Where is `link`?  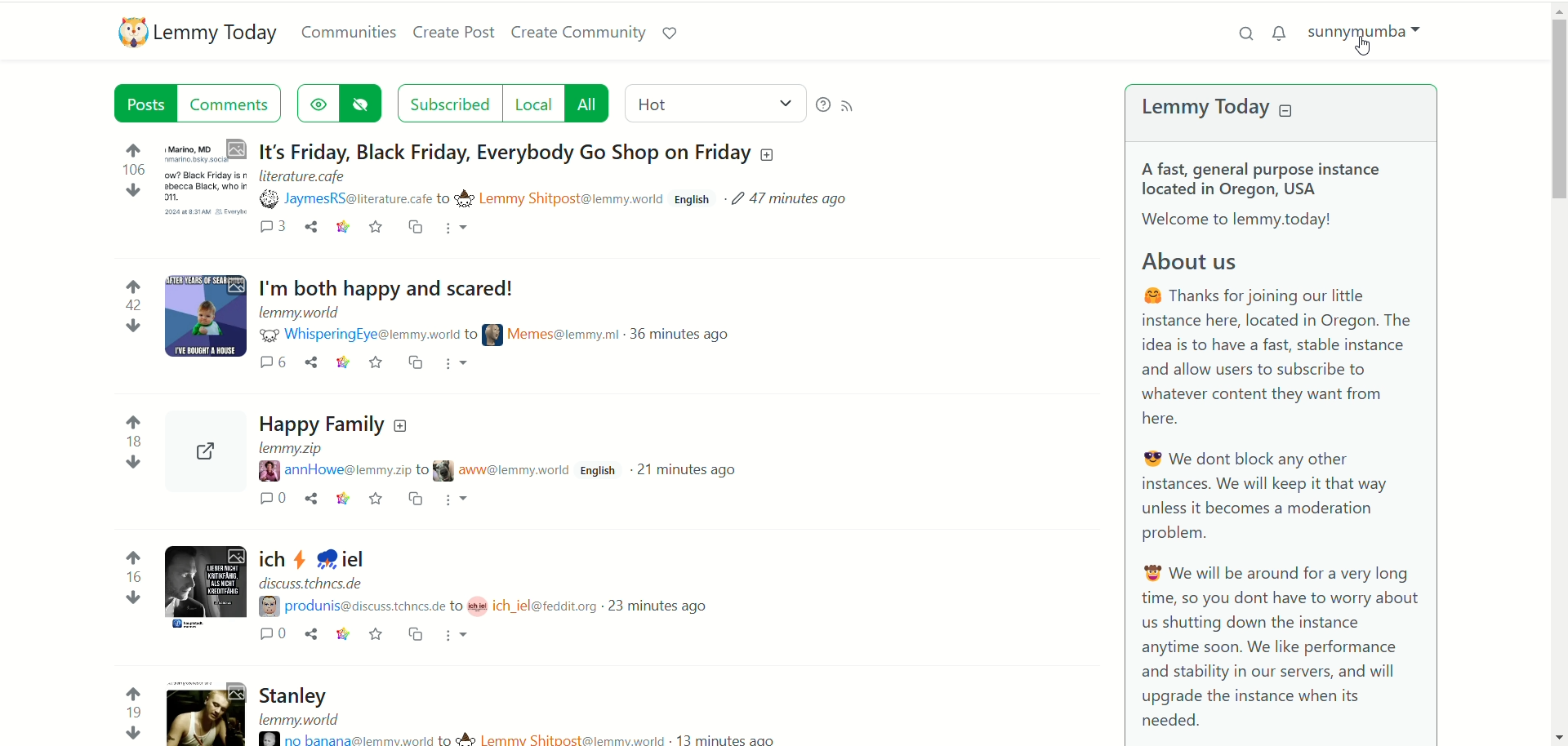 link is located at coordinates (341, 229).